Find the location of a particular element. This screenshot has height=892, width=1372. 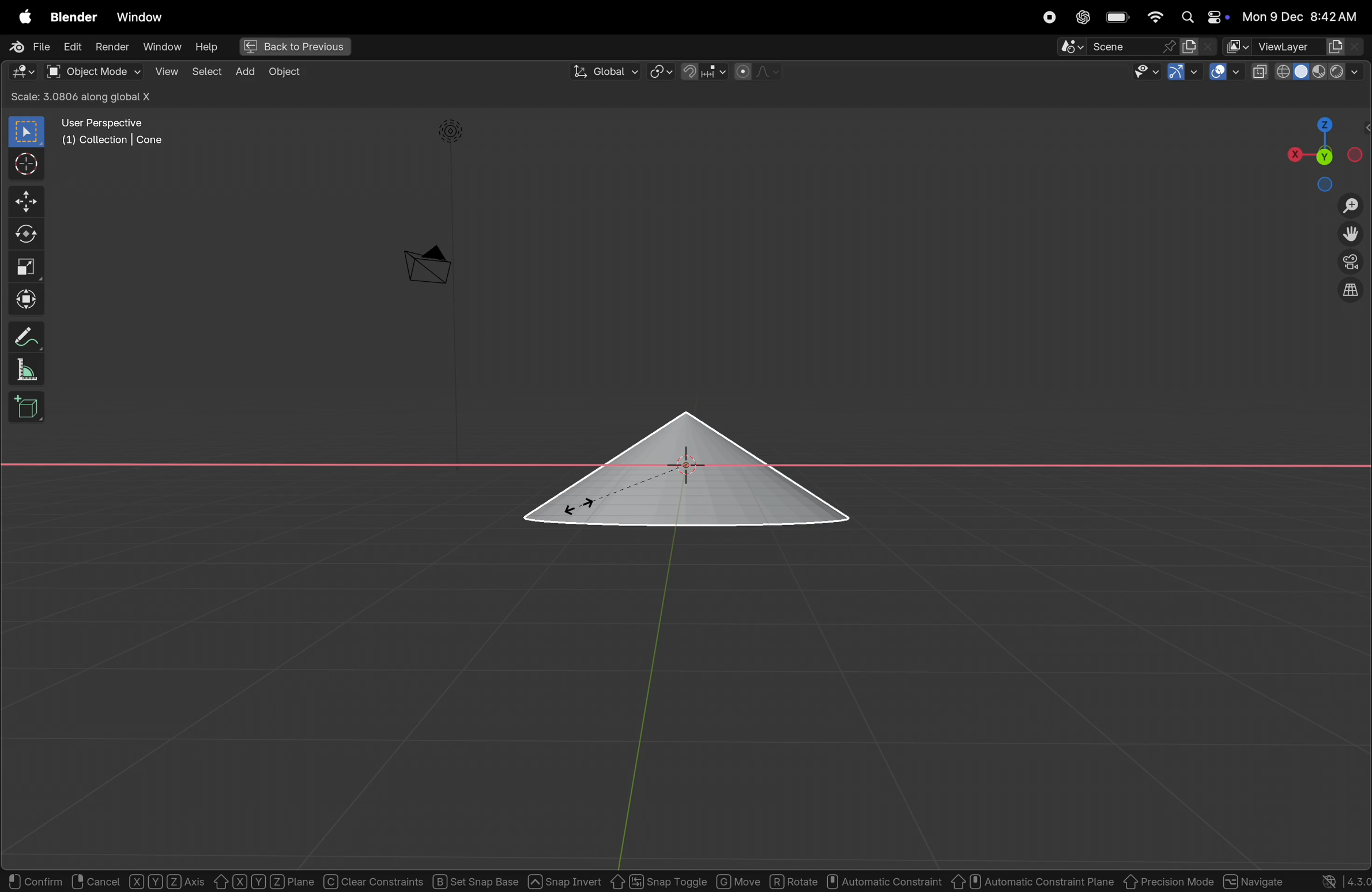

sec snap base is located at coordinates (473, 880).